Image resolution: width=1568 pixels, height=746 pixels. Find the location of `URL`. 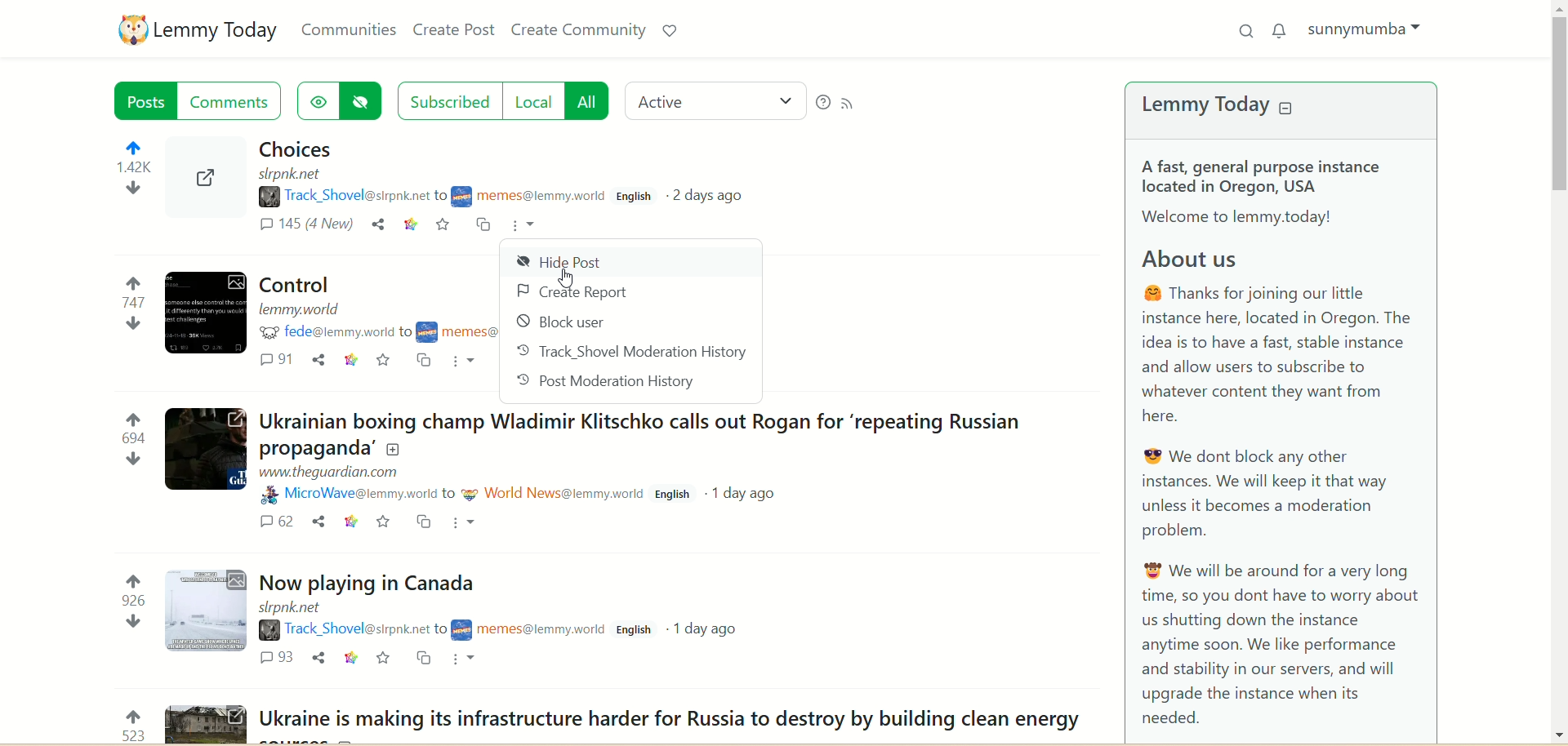

URL is located at coordinates (331, 471).